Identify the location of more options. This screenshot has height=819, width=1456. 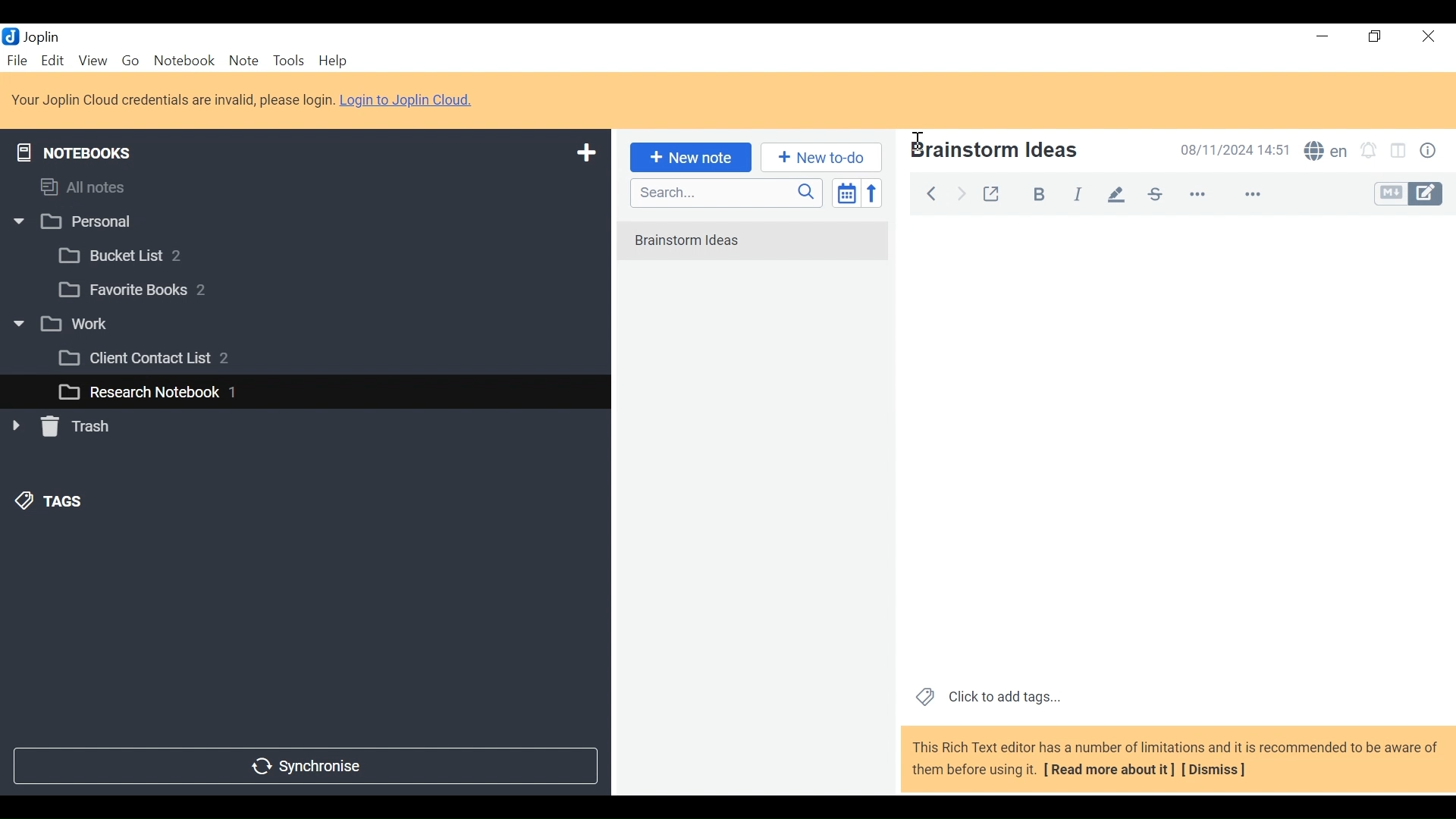
(1207, 195).